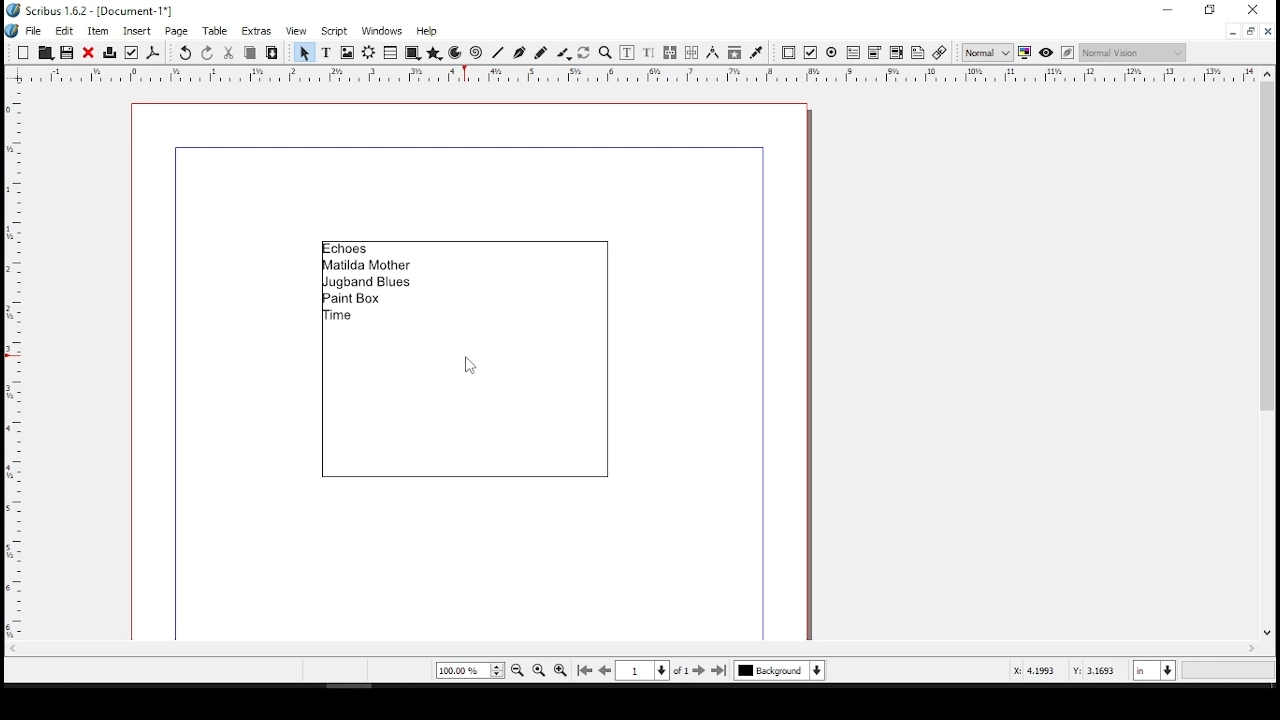 This screenshot has width=1280, height=720. Describe the element at coordinates (178, 31) in the screenshot. I see `page` at that location.